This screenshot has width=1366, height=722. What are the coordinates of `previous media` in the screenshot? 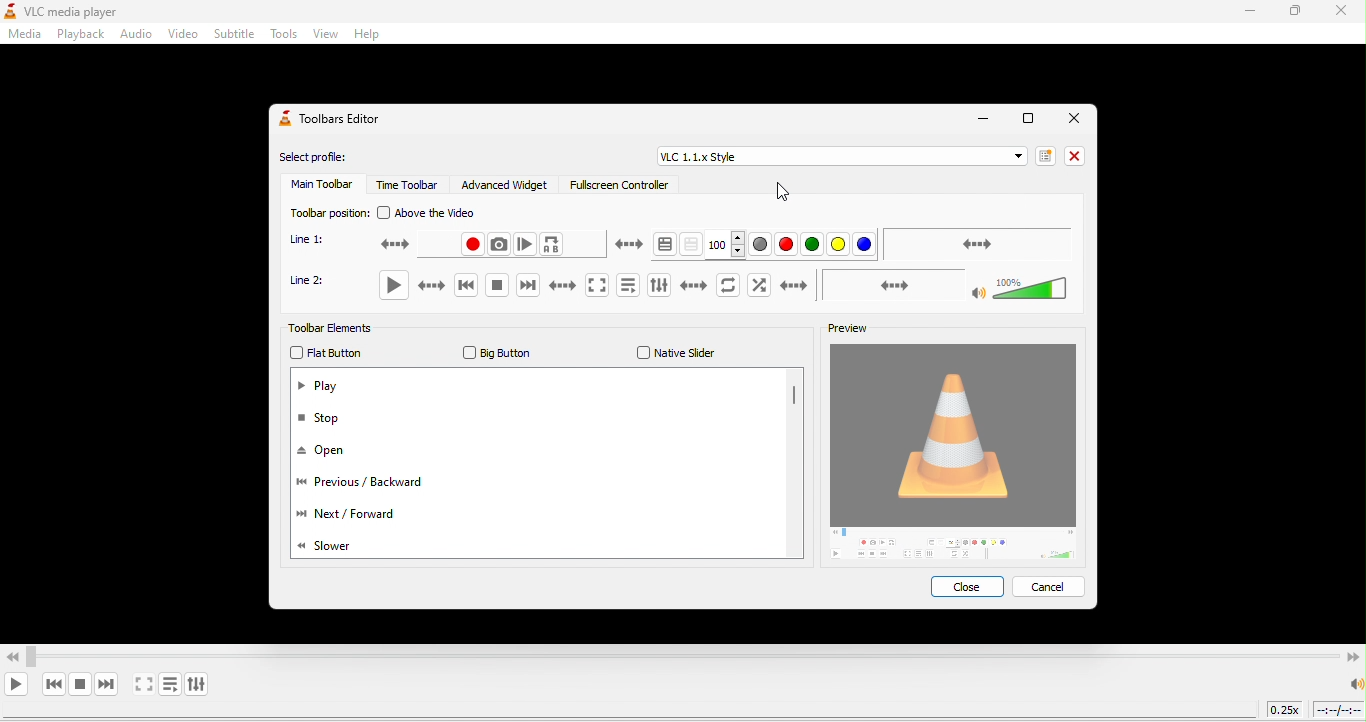 It's located at (53, 684).